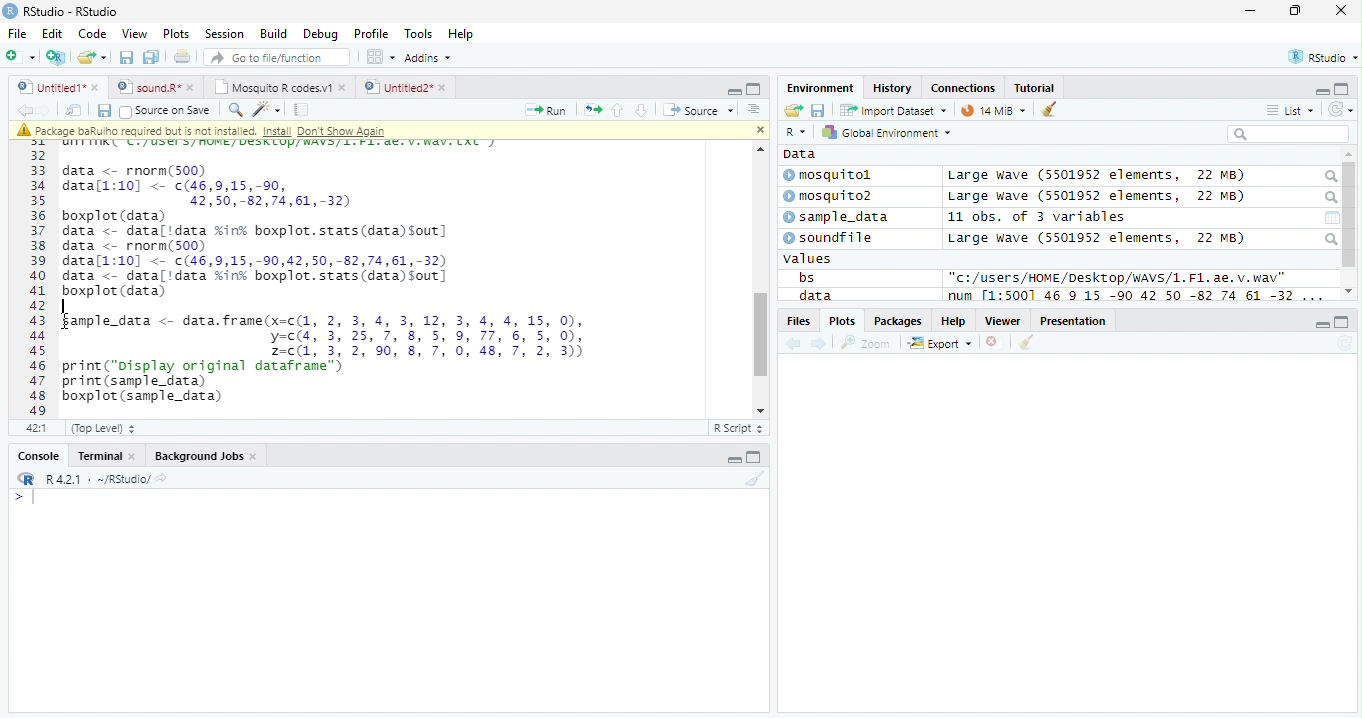  Describe the element at coordinates (1118, 277) in the screenshot. I see `"c:/users/HOME /Desktop/WAVS/1.F1. ae. v.wav"` at that location.